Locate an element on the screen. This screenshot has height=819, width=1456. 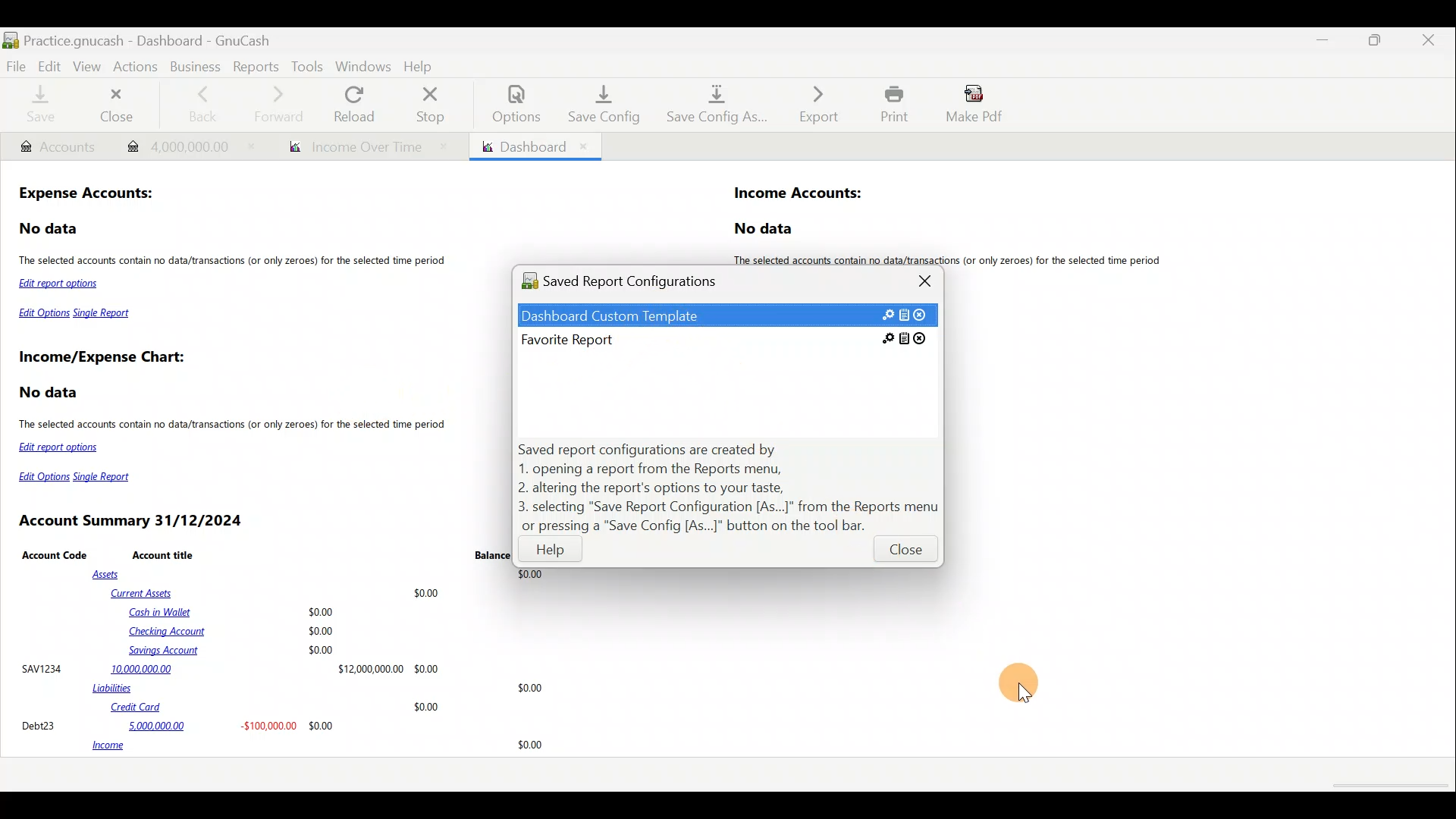
Dashboard is located at coordinates (534, 146).